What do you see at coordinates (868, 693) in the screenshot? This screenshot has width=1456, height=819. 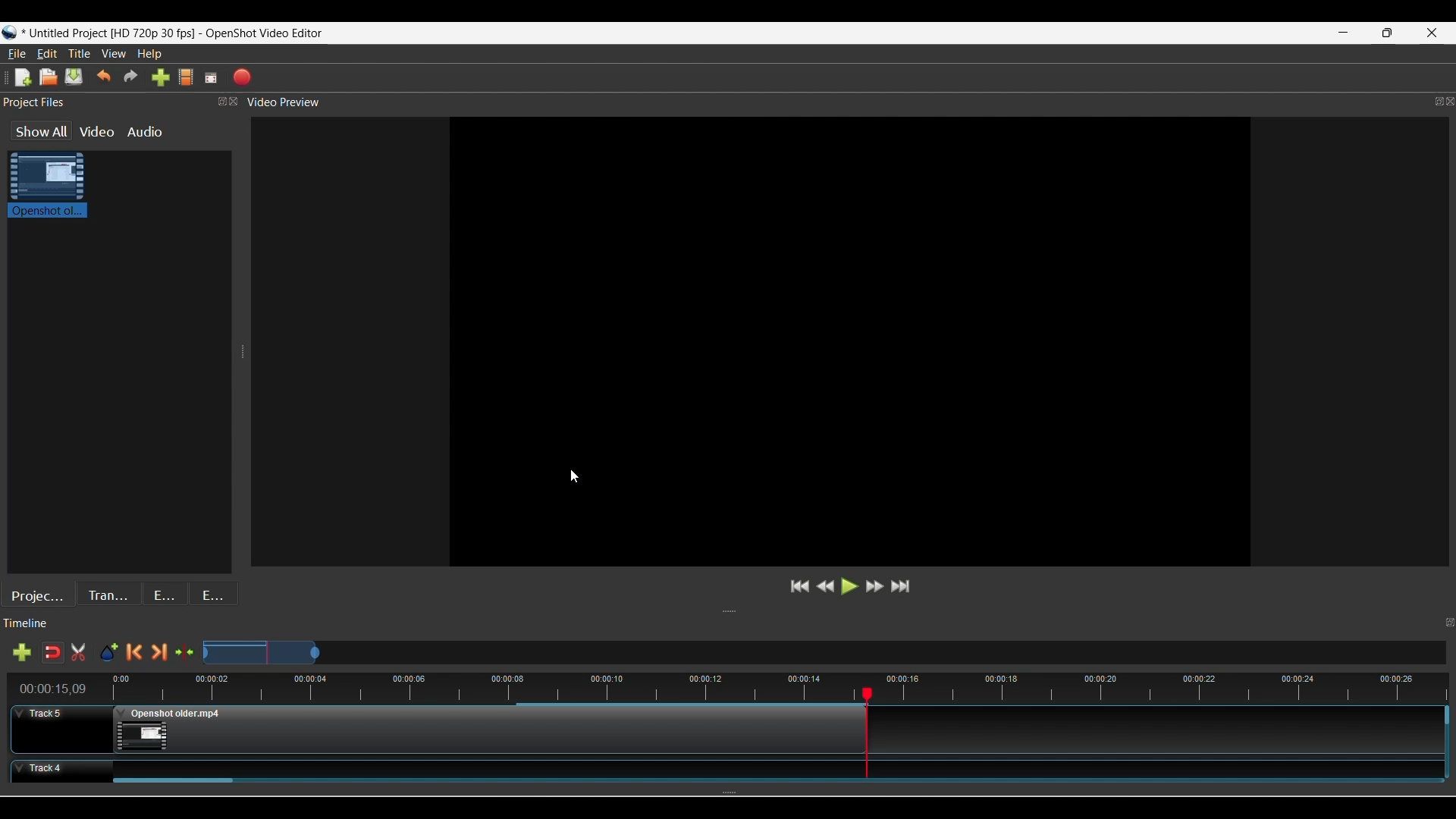 I see `Play head` at bounding box center [868, 693].